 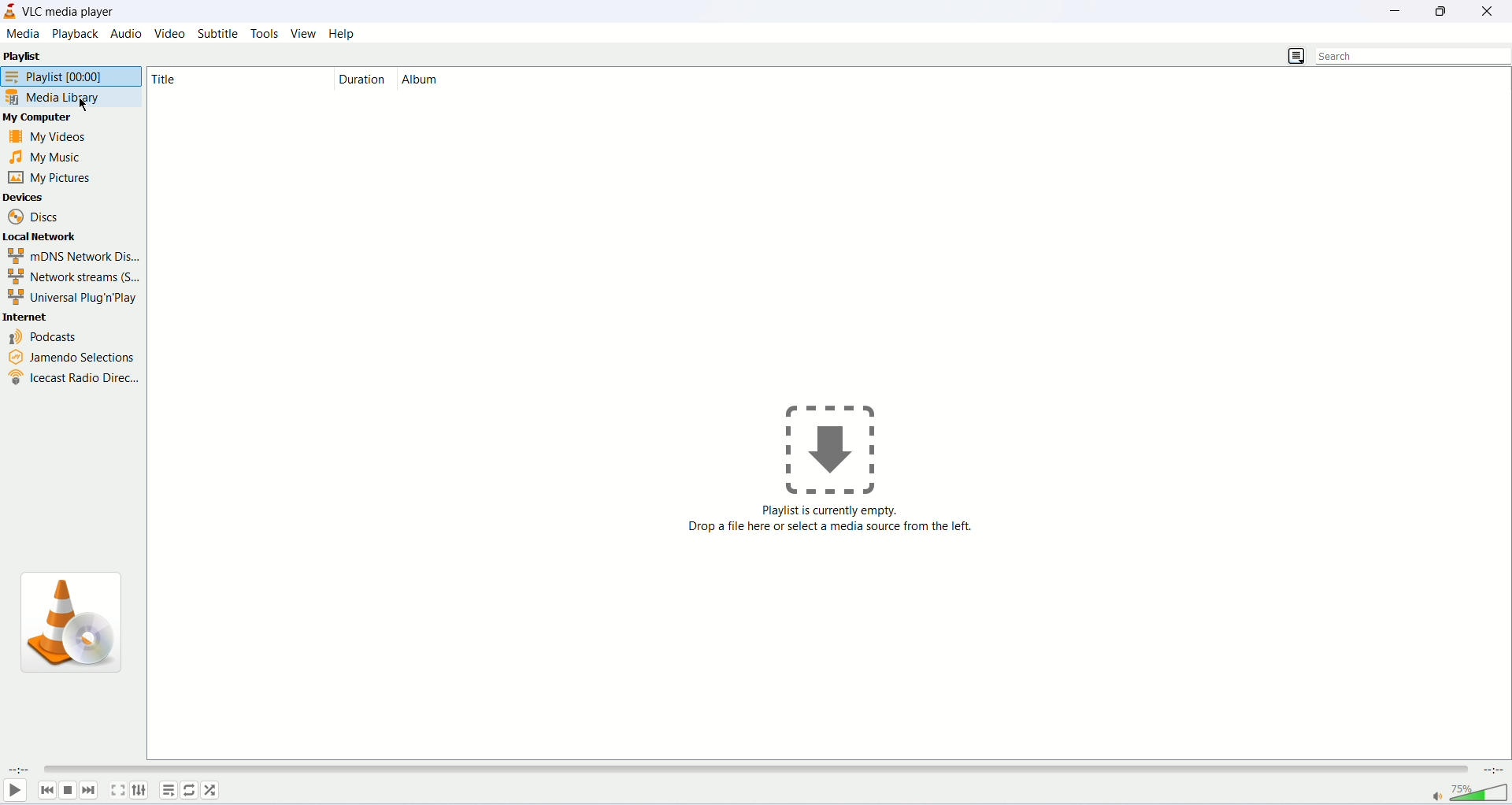 I want to click on my pictures, so click(x=51, y=178).